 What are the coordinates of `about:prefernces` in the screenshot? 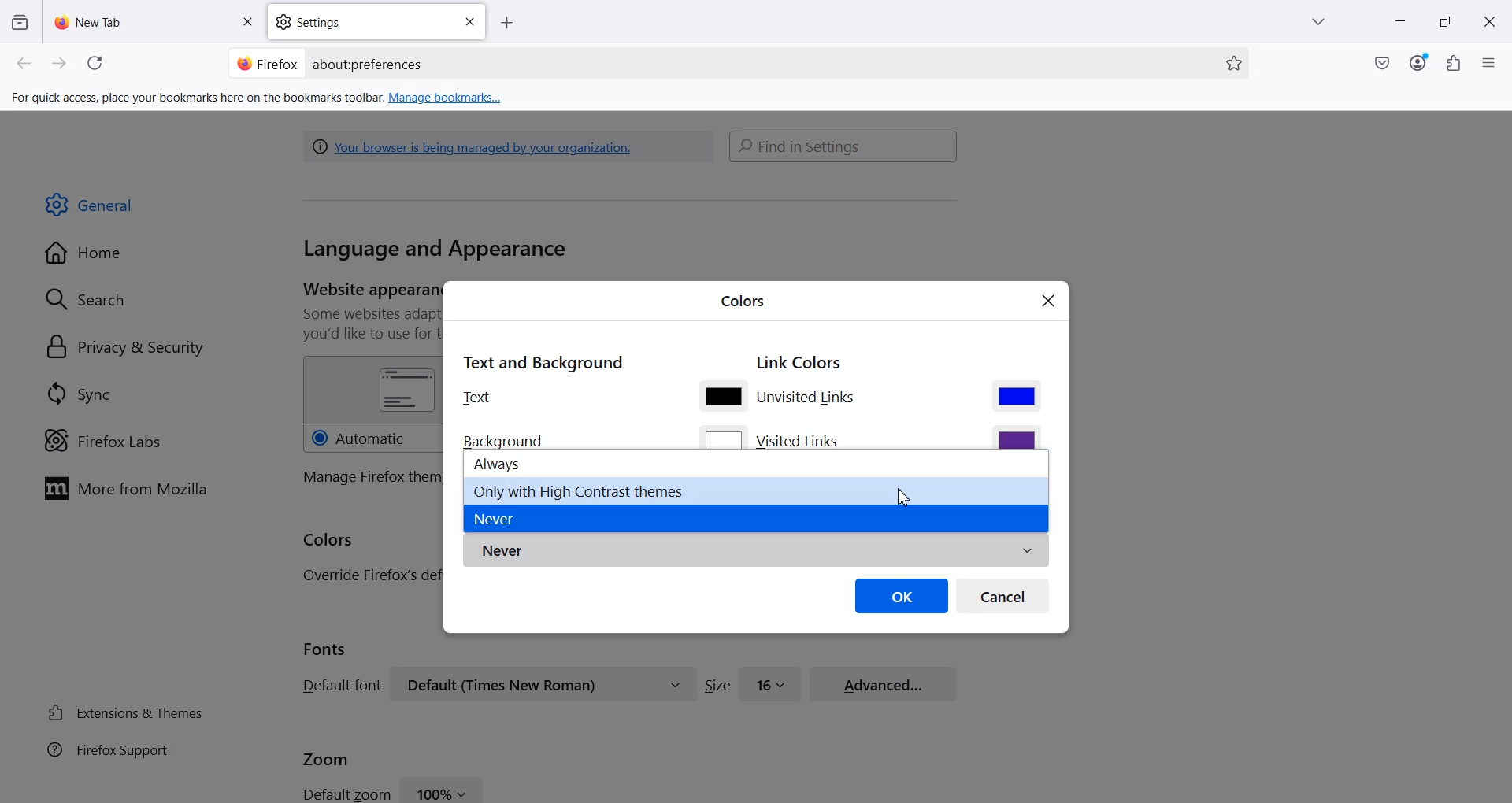 It's located at (369, 65).